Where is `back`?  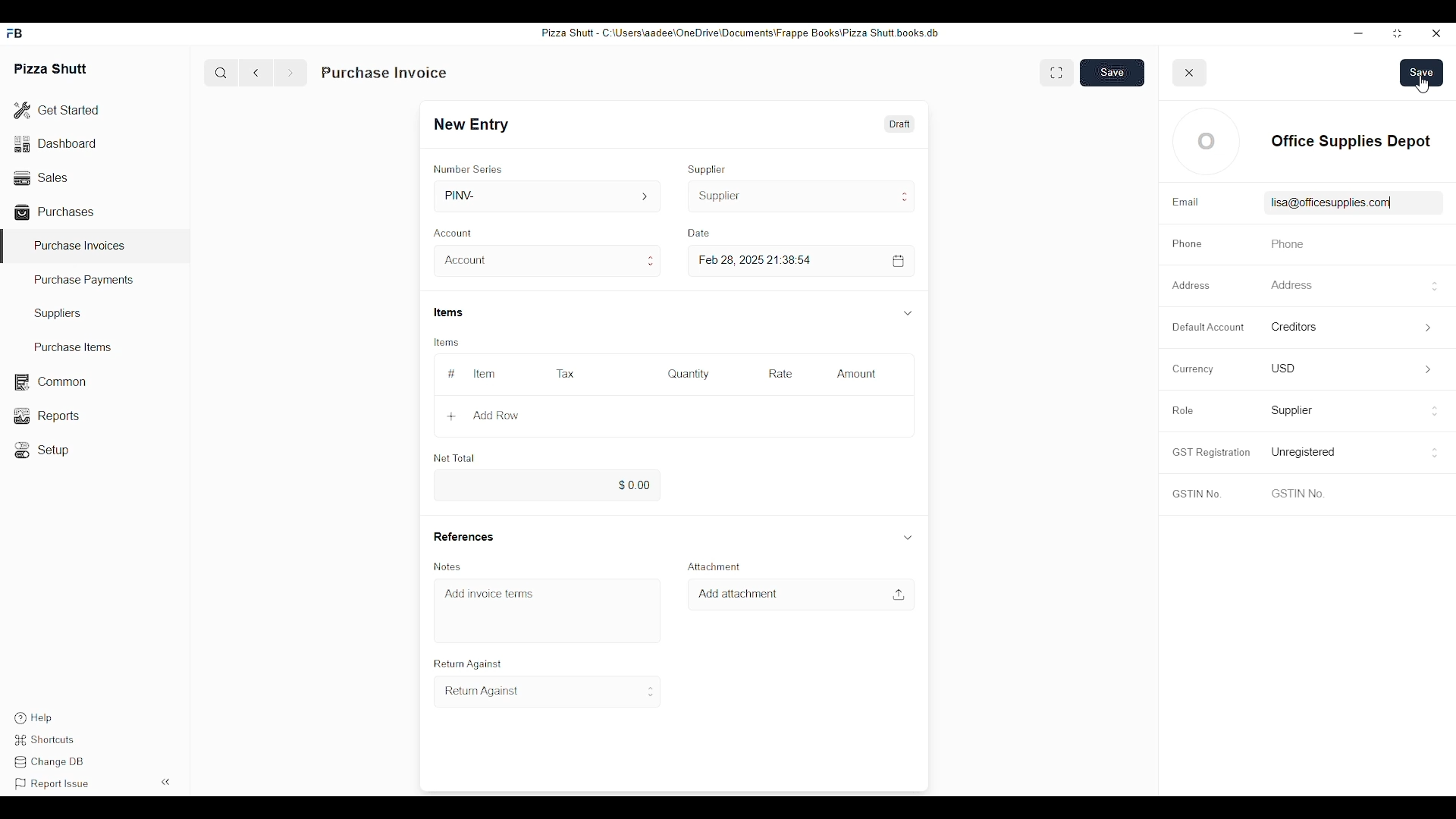
back is located at coordinates (259, 73).